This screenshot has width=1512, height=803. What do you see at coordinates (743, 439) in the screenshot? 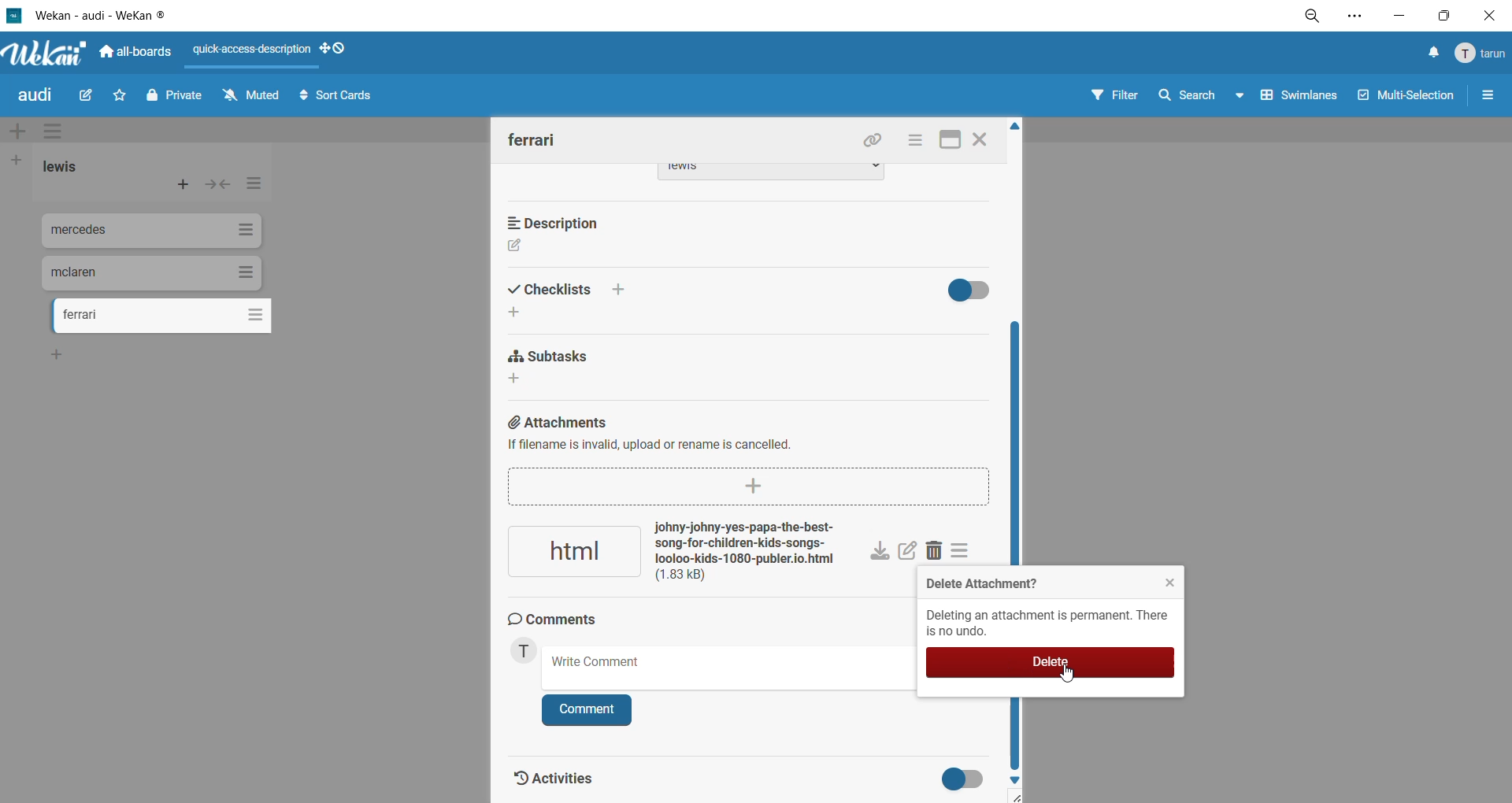
I see `attachments` at bounding box center [743, 439].